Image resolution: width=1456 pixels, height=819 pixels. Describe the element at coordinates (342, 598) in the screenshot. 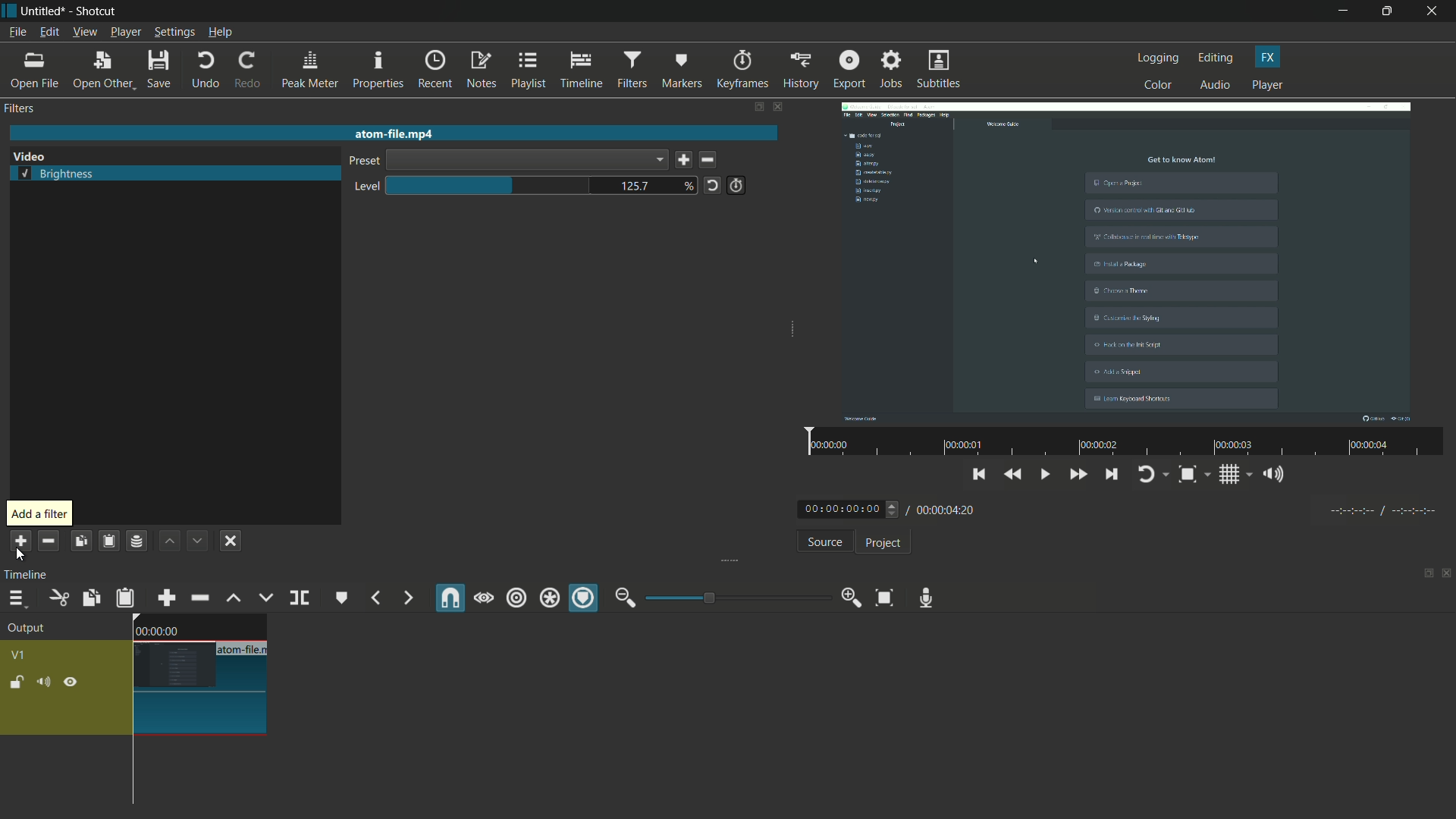

I see `create/edit marker` at that location.